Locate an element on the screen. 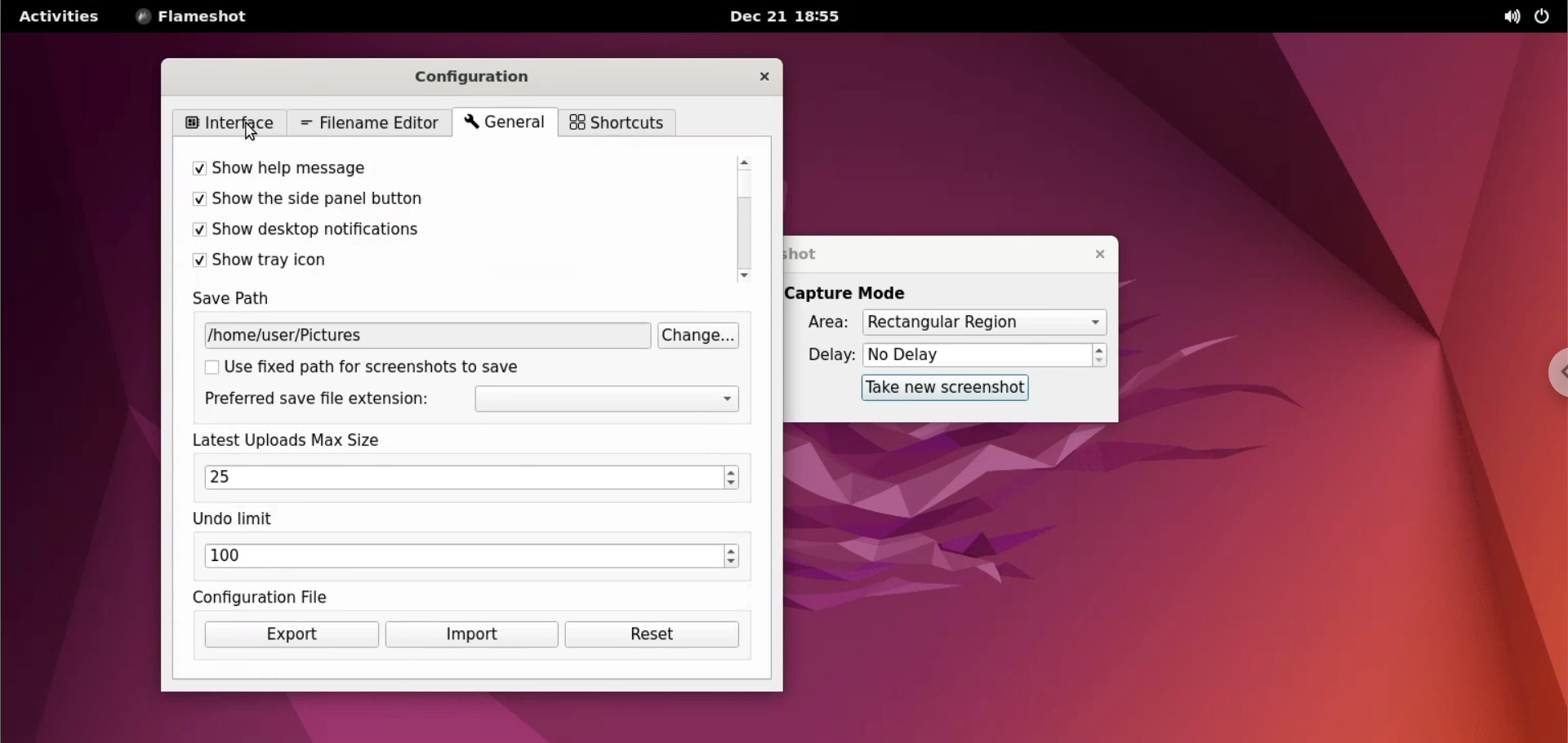 Image resolution: width=1568 pixels, height=743 pixels. capture mode is located at coordinates (851, 293).